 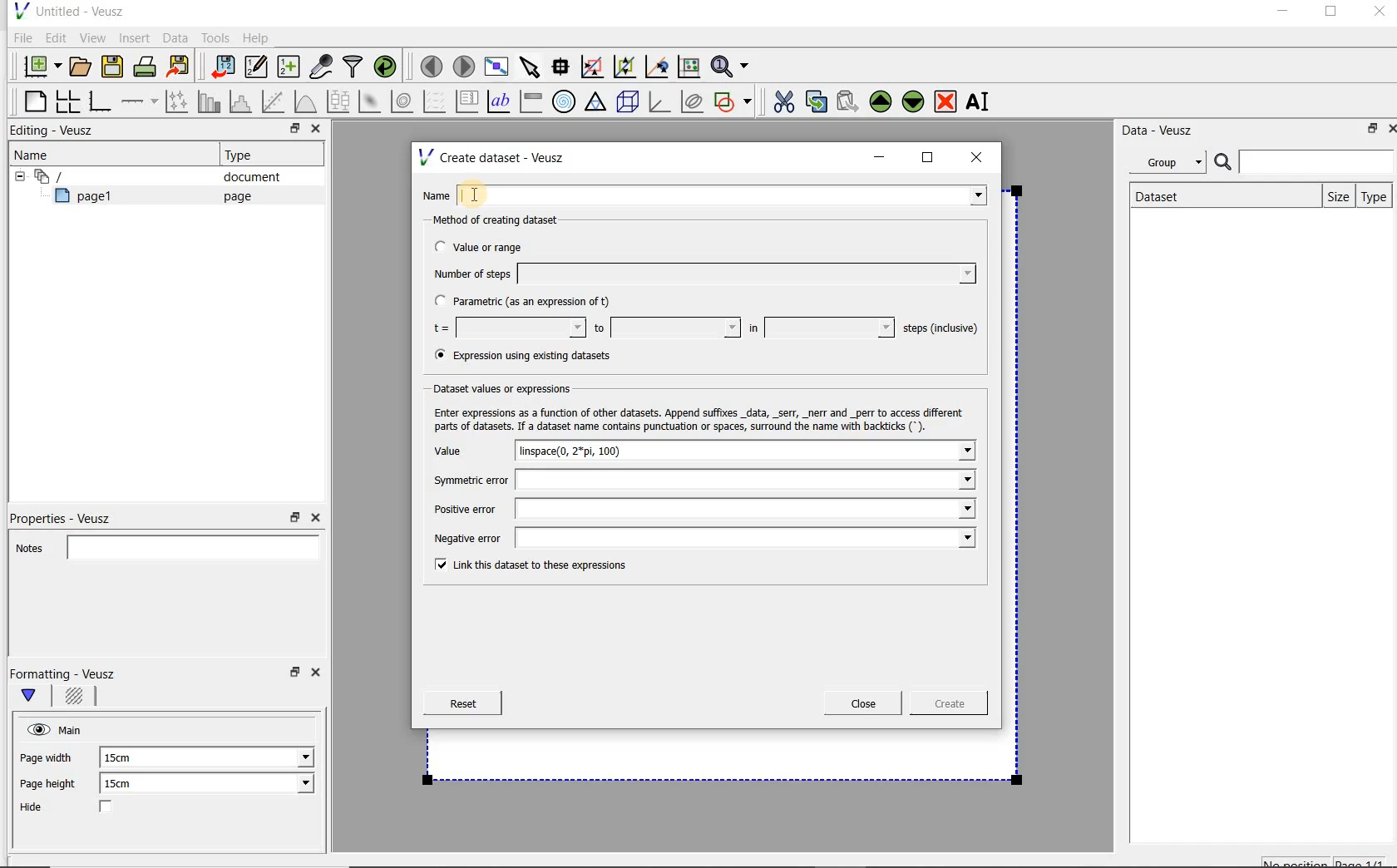 I want to click on Name, so click(x=708, y=194).